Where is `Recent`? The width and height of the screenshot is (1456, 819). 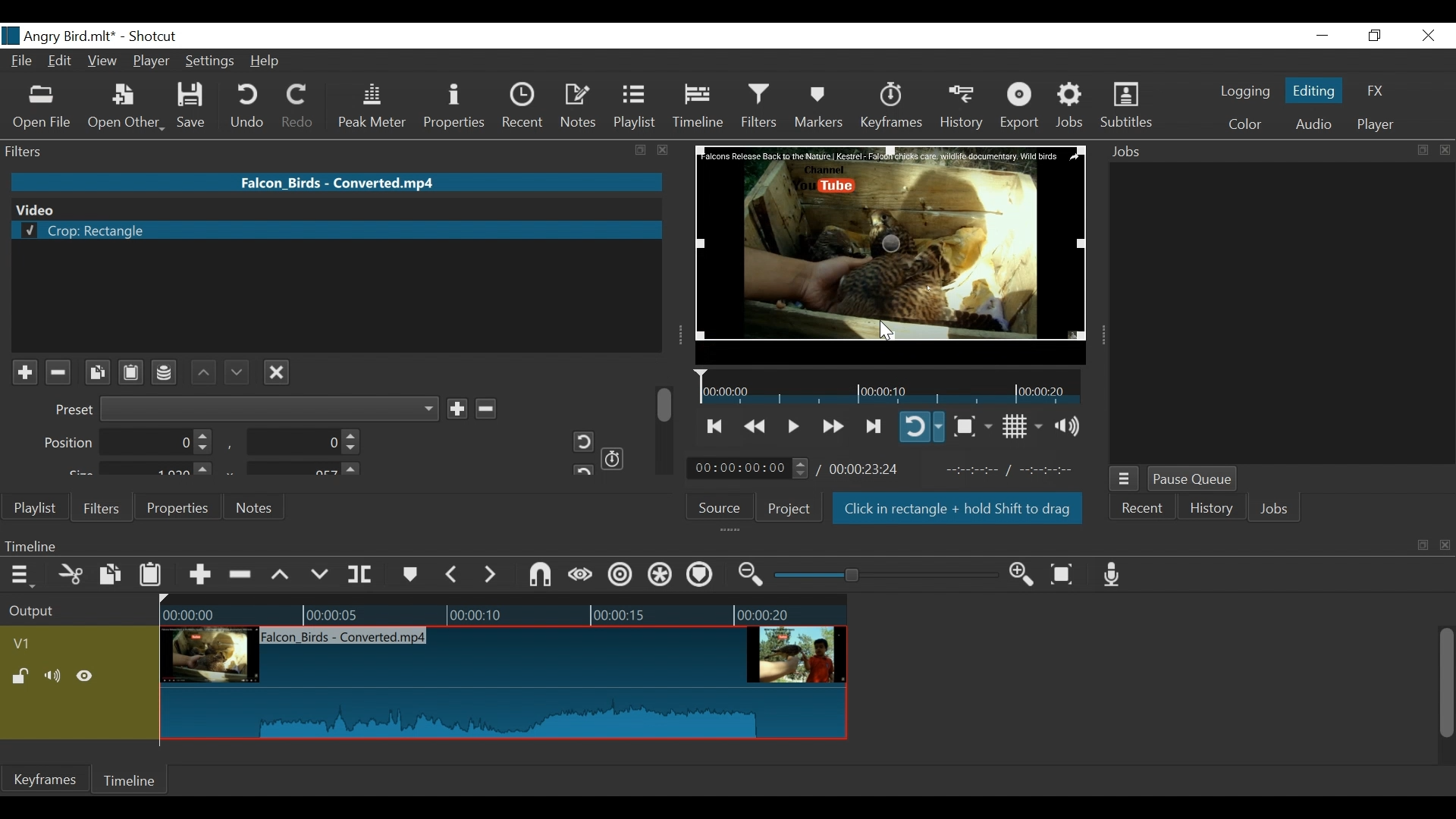
Recent is located at coordinates (1141, 510).